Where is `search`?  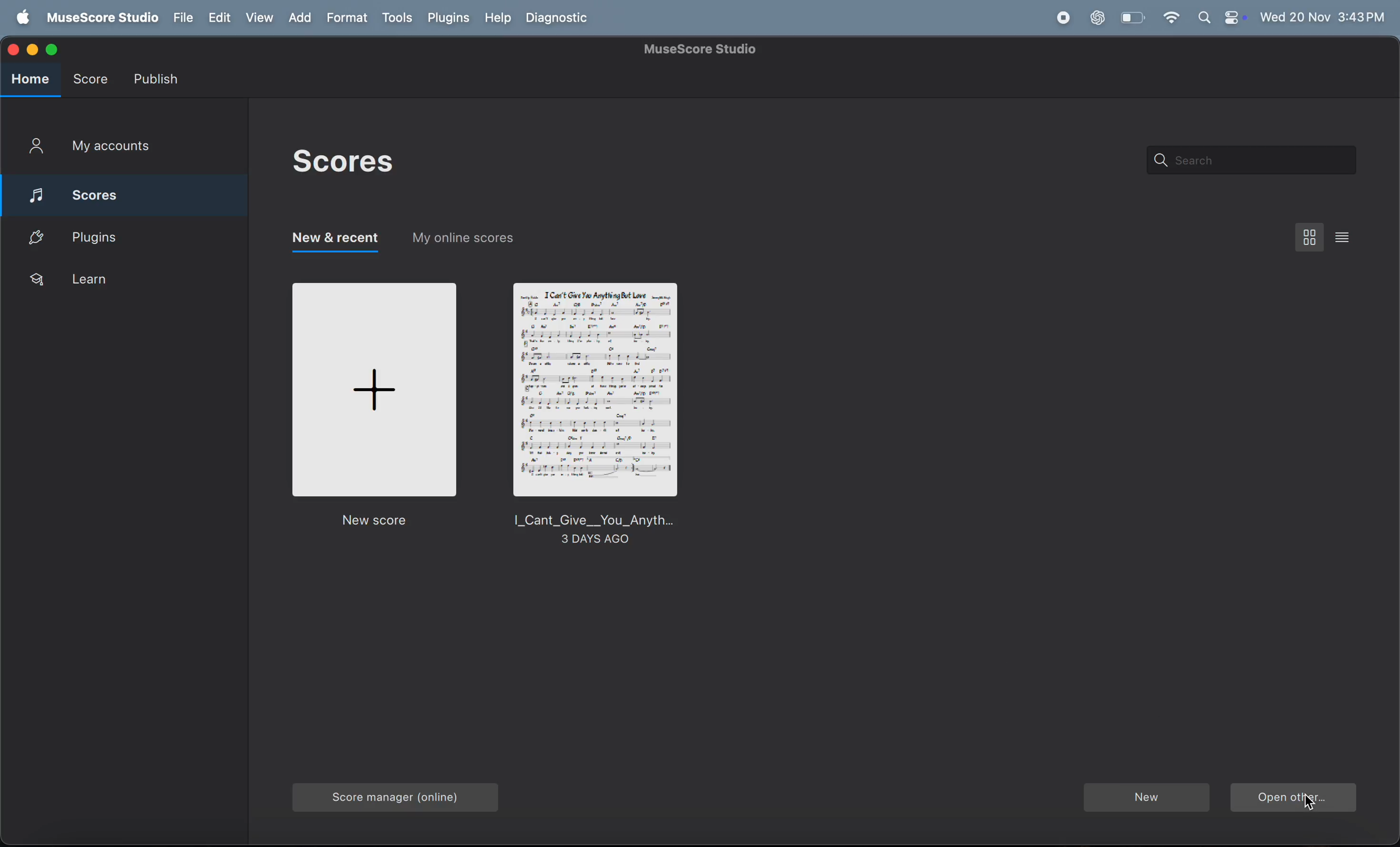
search is located at coordinates (1250, 160).